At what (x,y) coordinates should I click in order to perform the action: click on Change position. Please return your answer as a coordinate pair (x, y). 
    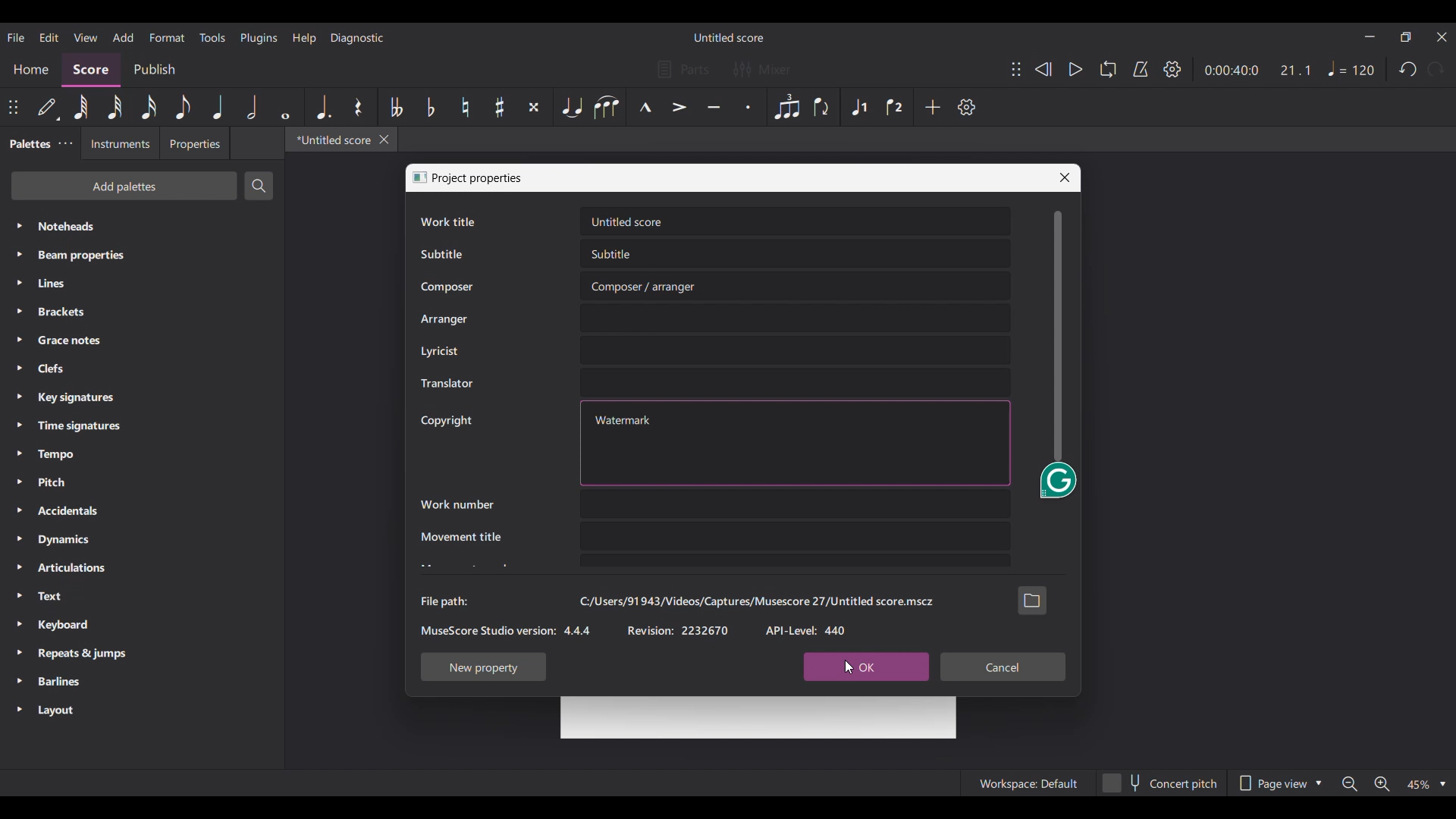
    Looking at the image, I should click on (13, 107).